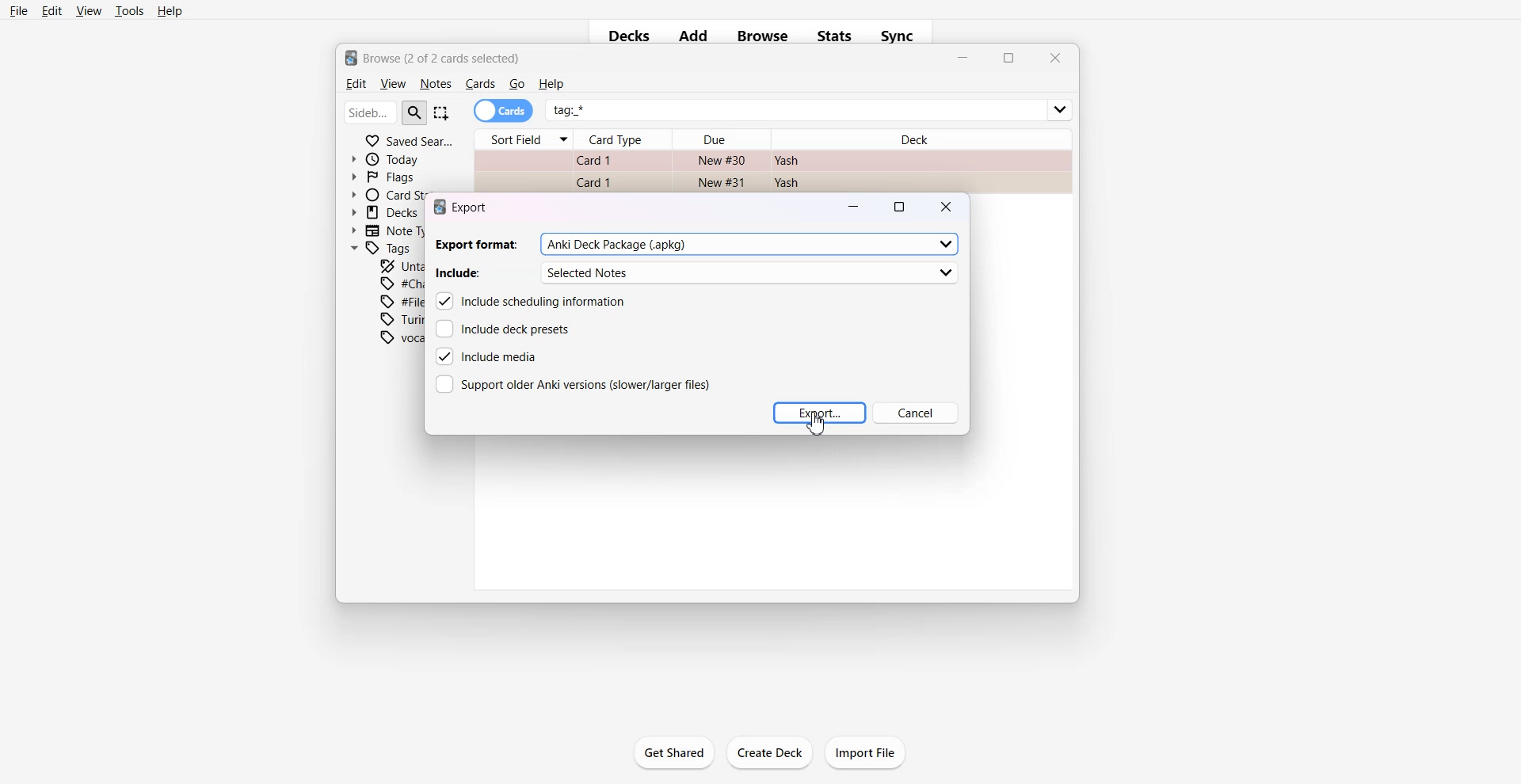  What do you see at coordinates (88, 10) in the screenshot?
I see `View` at bounding box center [88, 10].